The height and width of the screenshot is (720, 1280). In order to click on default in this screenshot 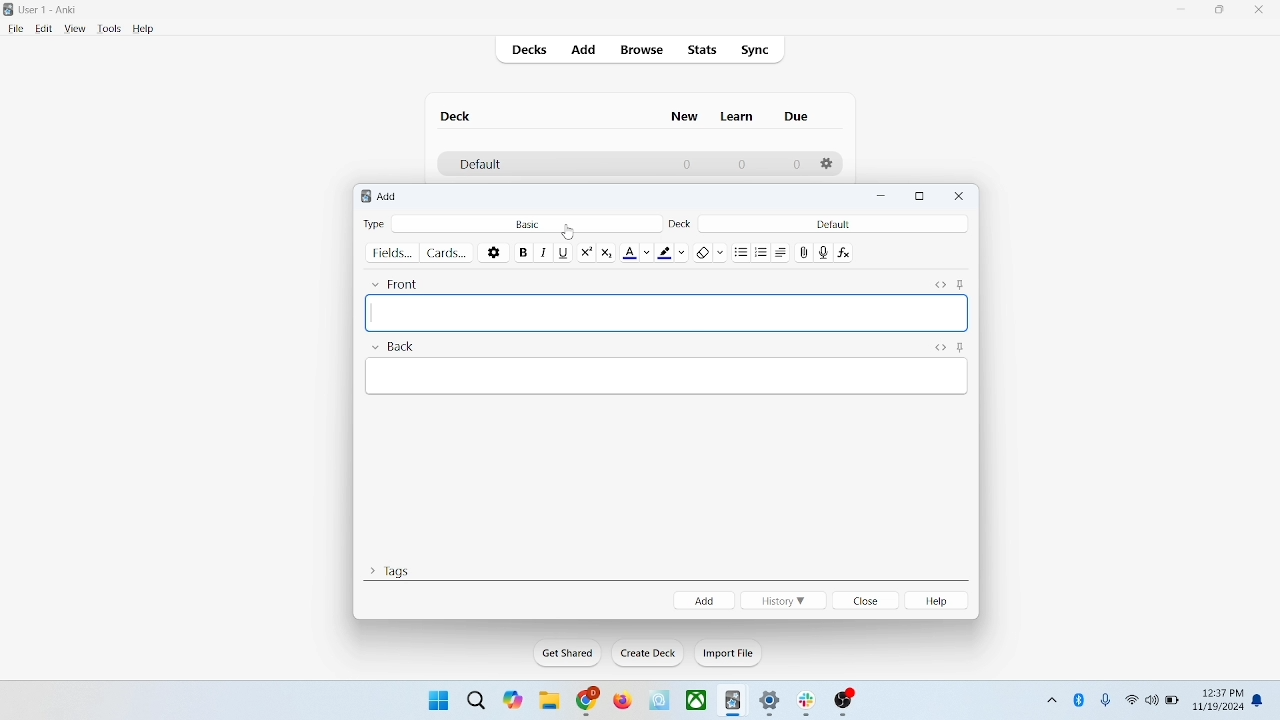, I will do `click(832, 224)`.